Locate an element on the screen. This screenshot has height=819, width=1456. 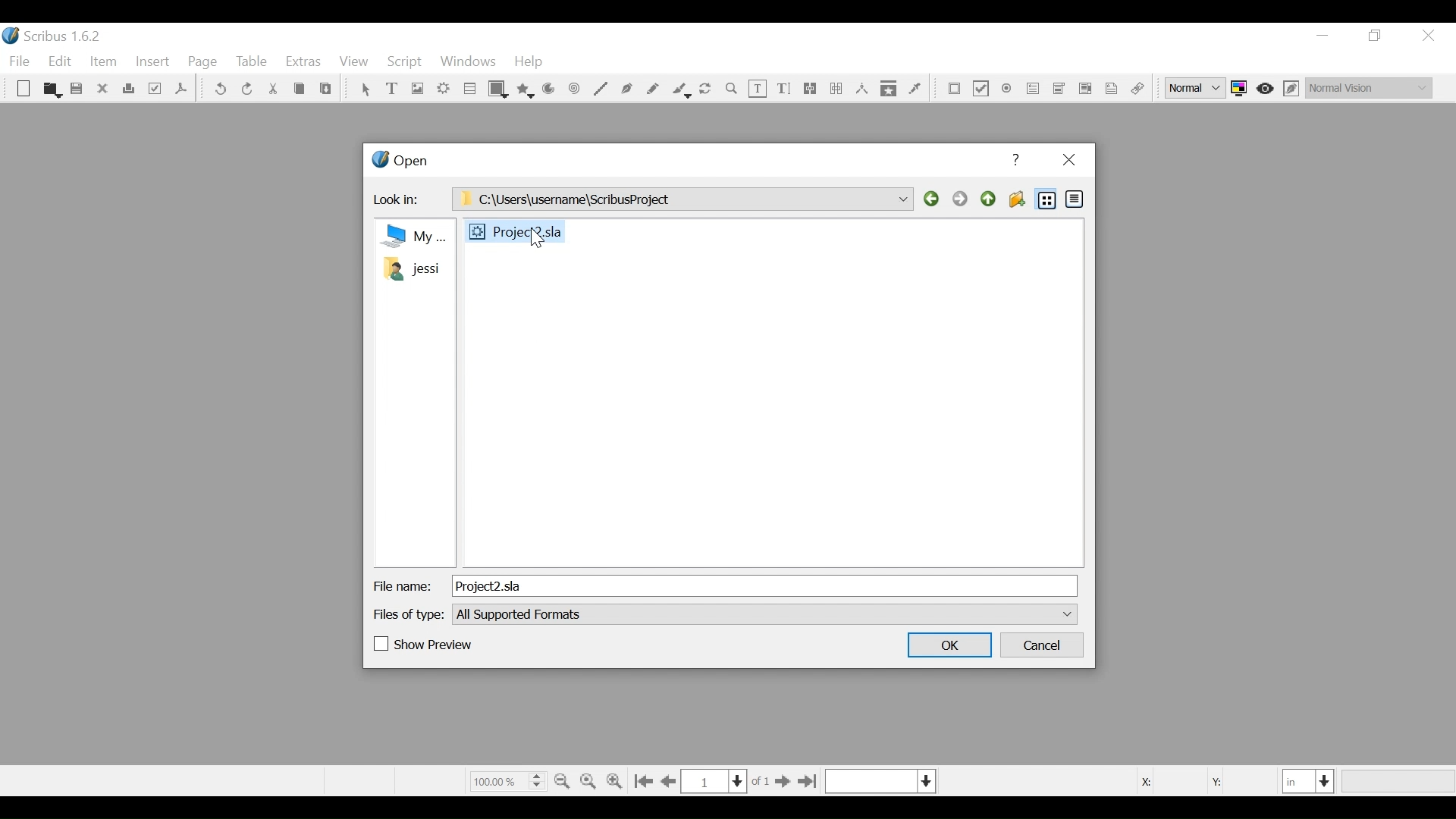
Freehand line is located at coordinates (654, 89).